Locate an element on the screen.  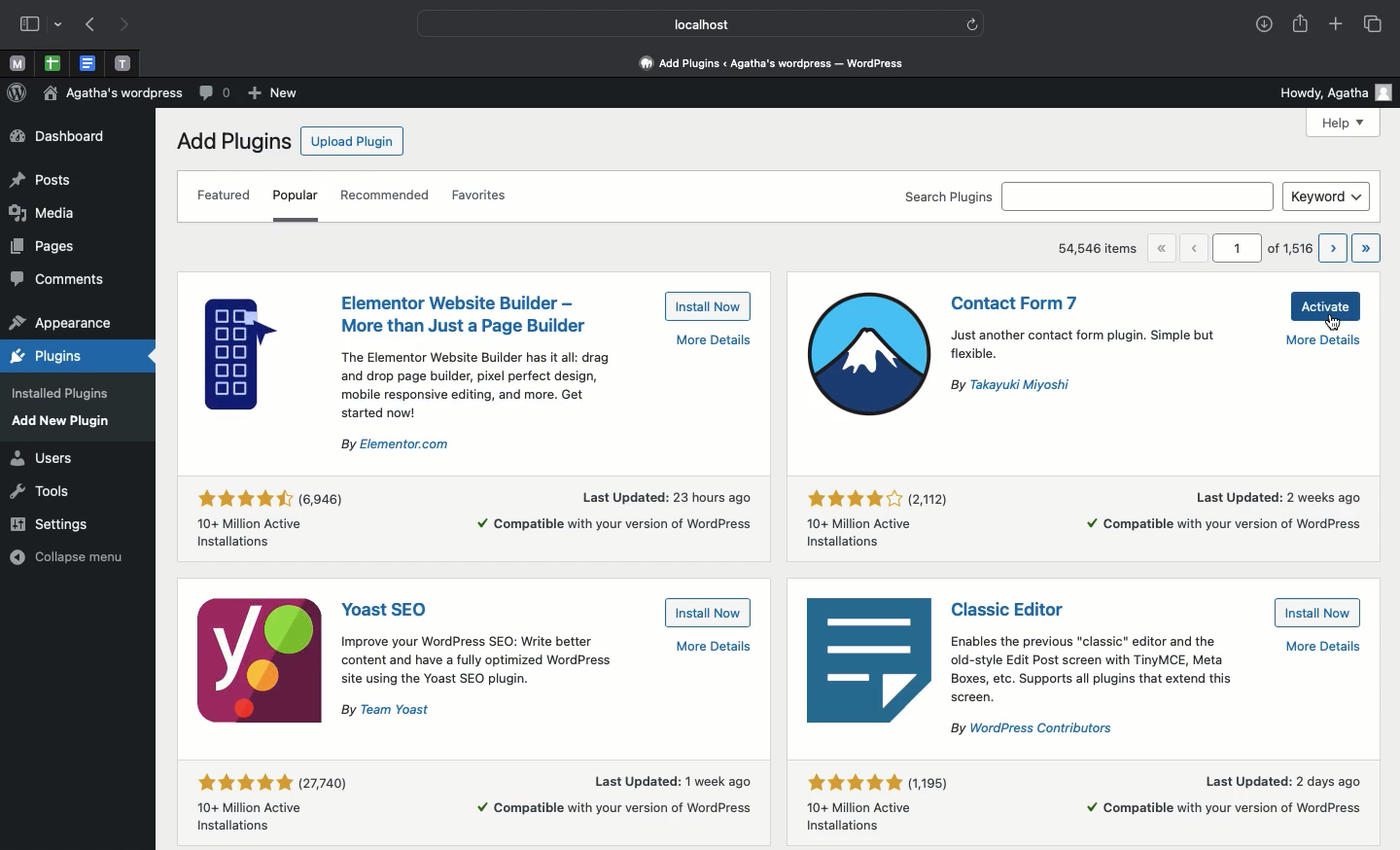
Icon is located at coordinates (869, 663).